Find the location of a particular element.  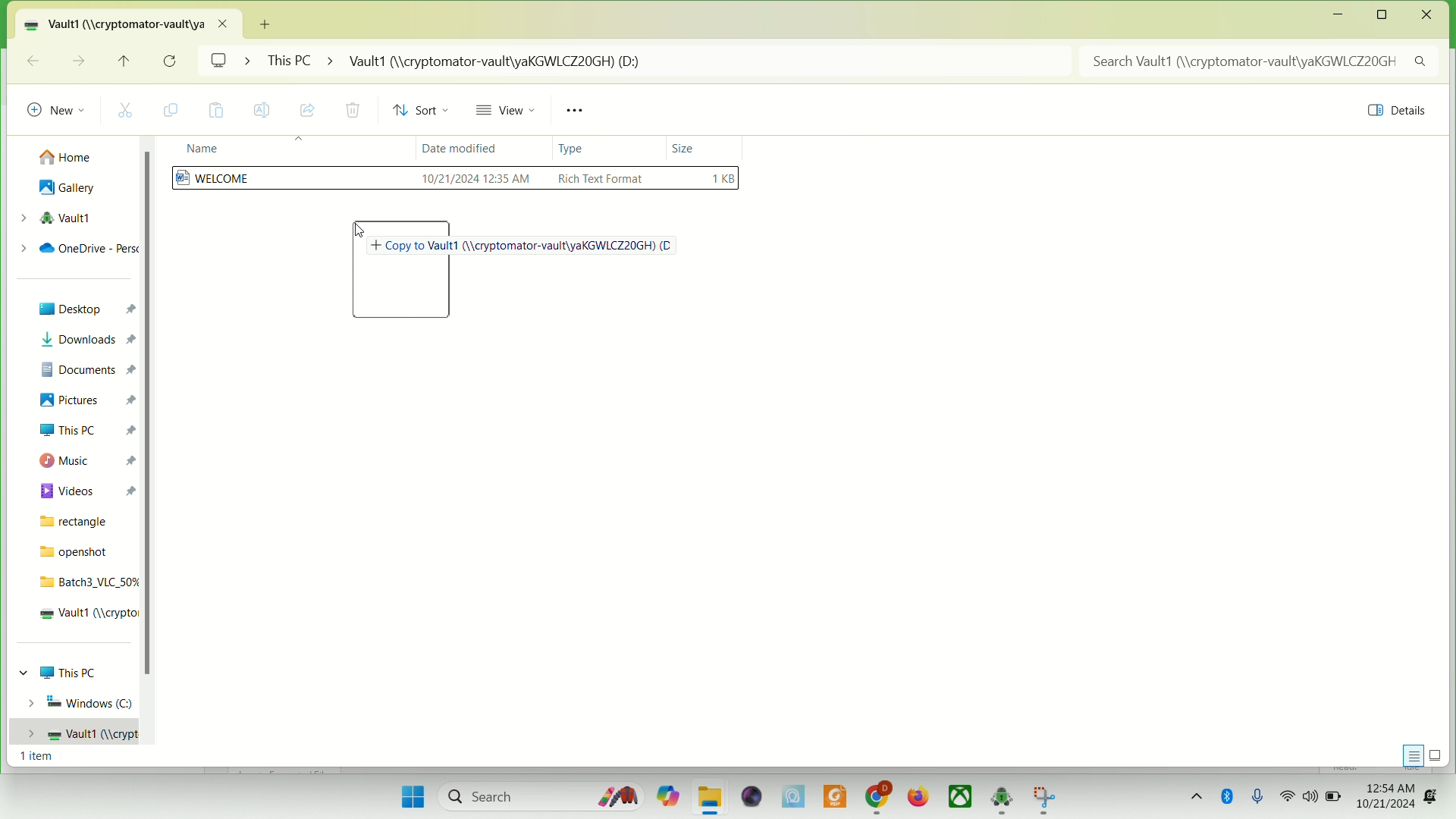

openshot is located at coordinates (76, 551).